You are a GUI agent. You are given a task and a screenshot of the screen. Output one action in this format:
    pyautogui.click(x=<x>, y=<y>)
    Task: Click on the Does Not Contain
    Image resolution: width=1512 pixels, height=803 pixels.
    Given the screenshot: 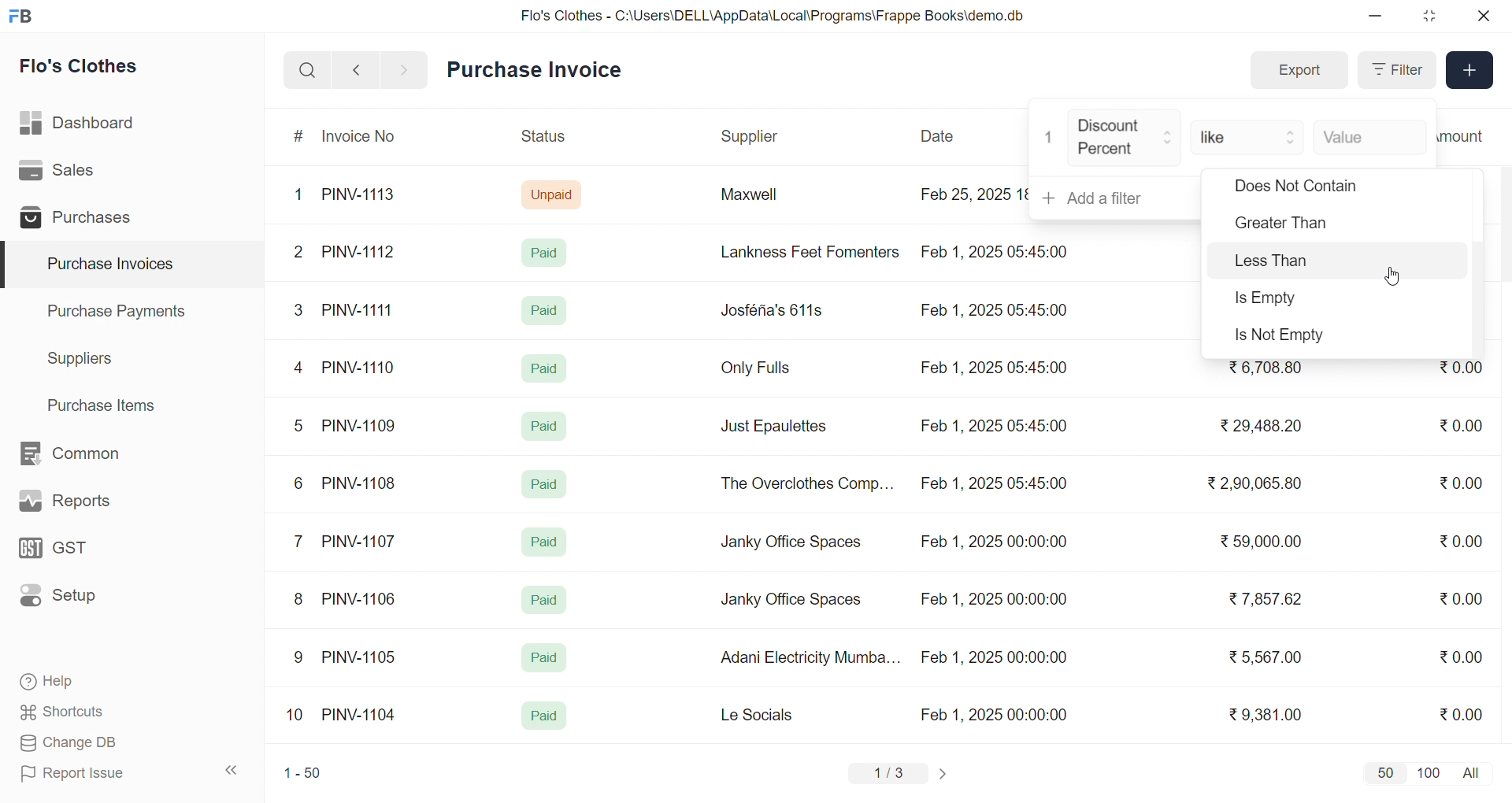 What is the action you would take?
    pyautogui.click(x=1296, y=189)
    